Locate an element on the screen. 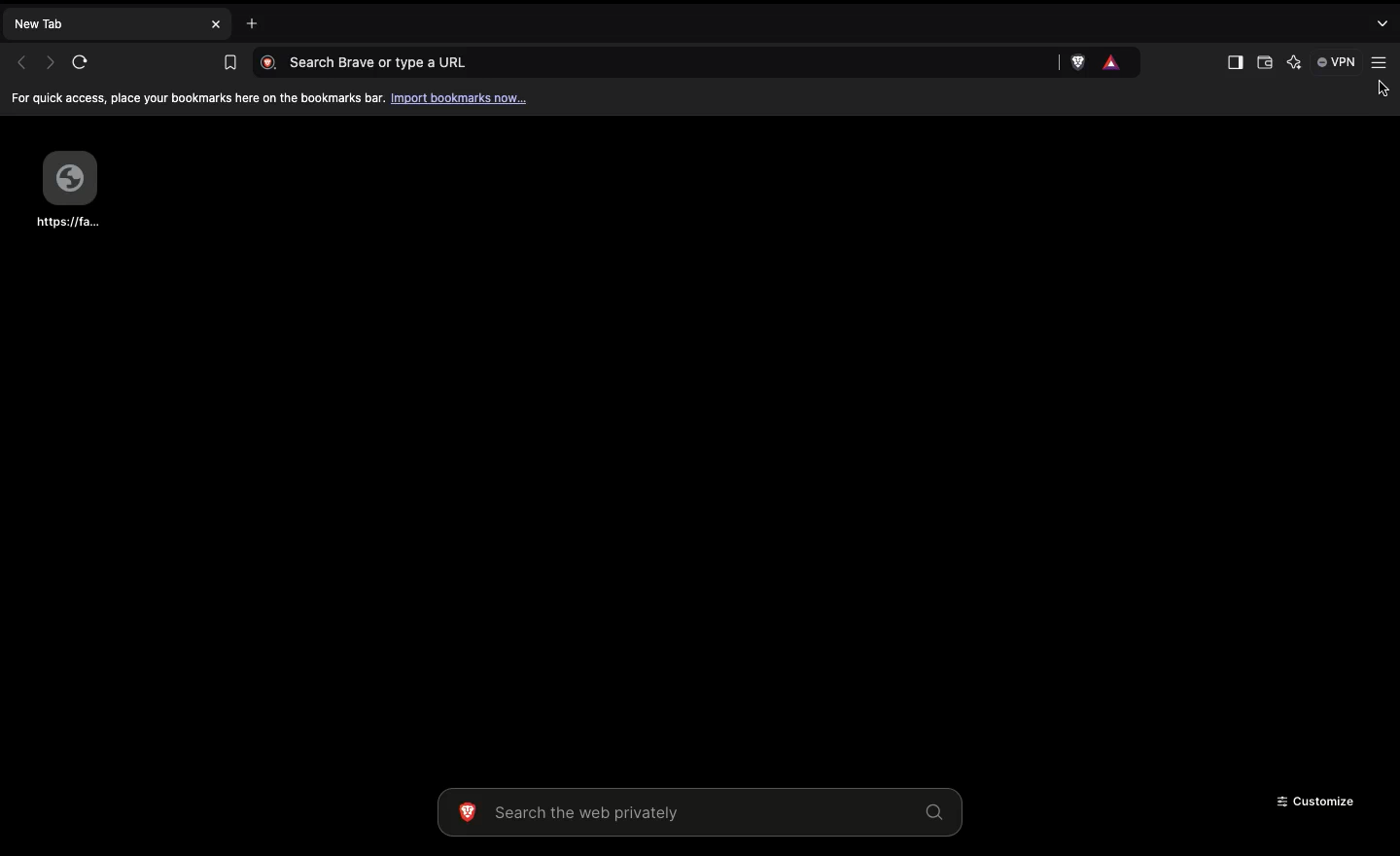 This screenshot has width=1400, height=856. Add new tab is located at coordinates (256, 20).